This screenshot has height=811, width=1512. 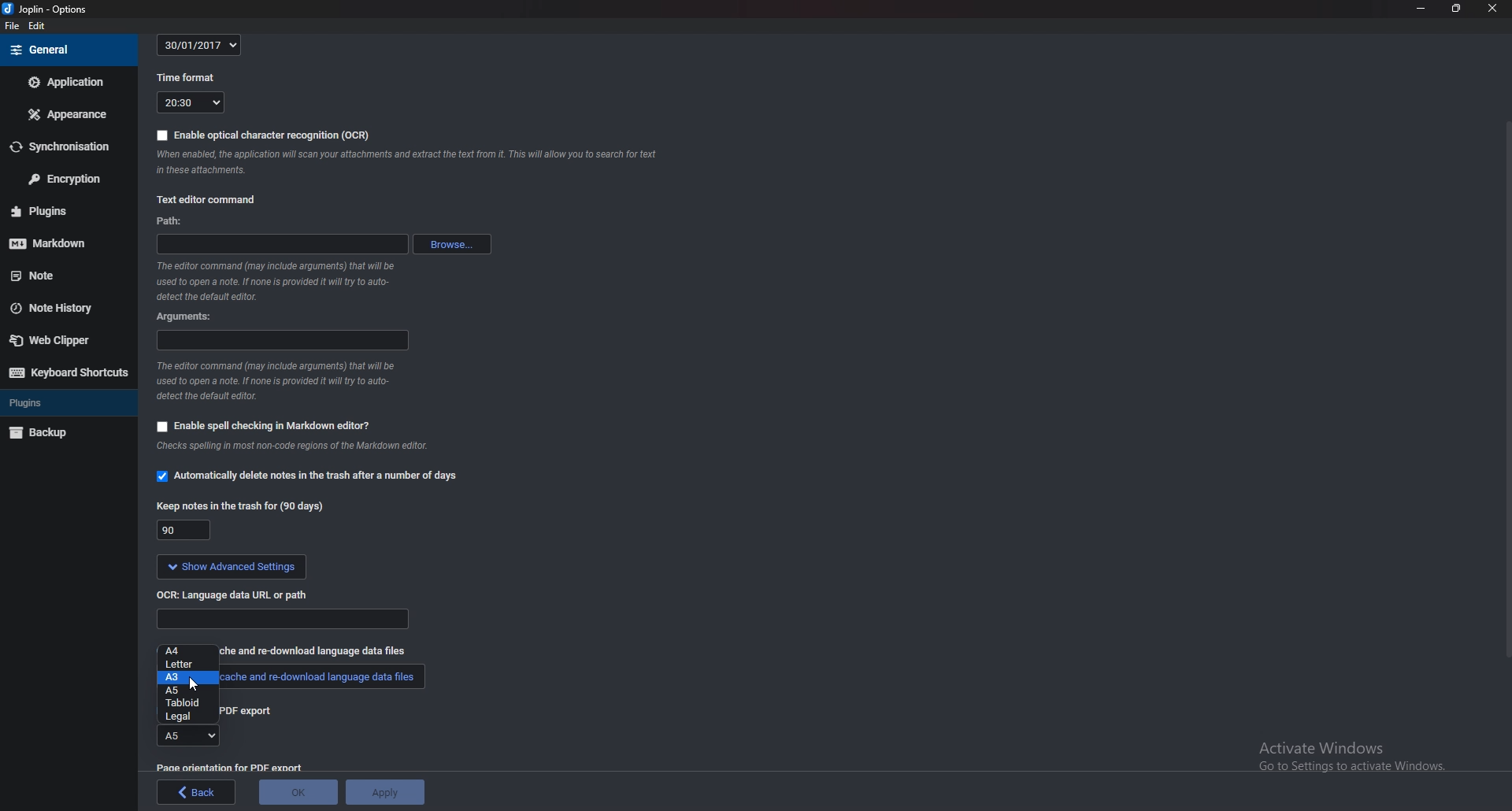 I want to click on Info on ocr, so click(x=409, y=164).